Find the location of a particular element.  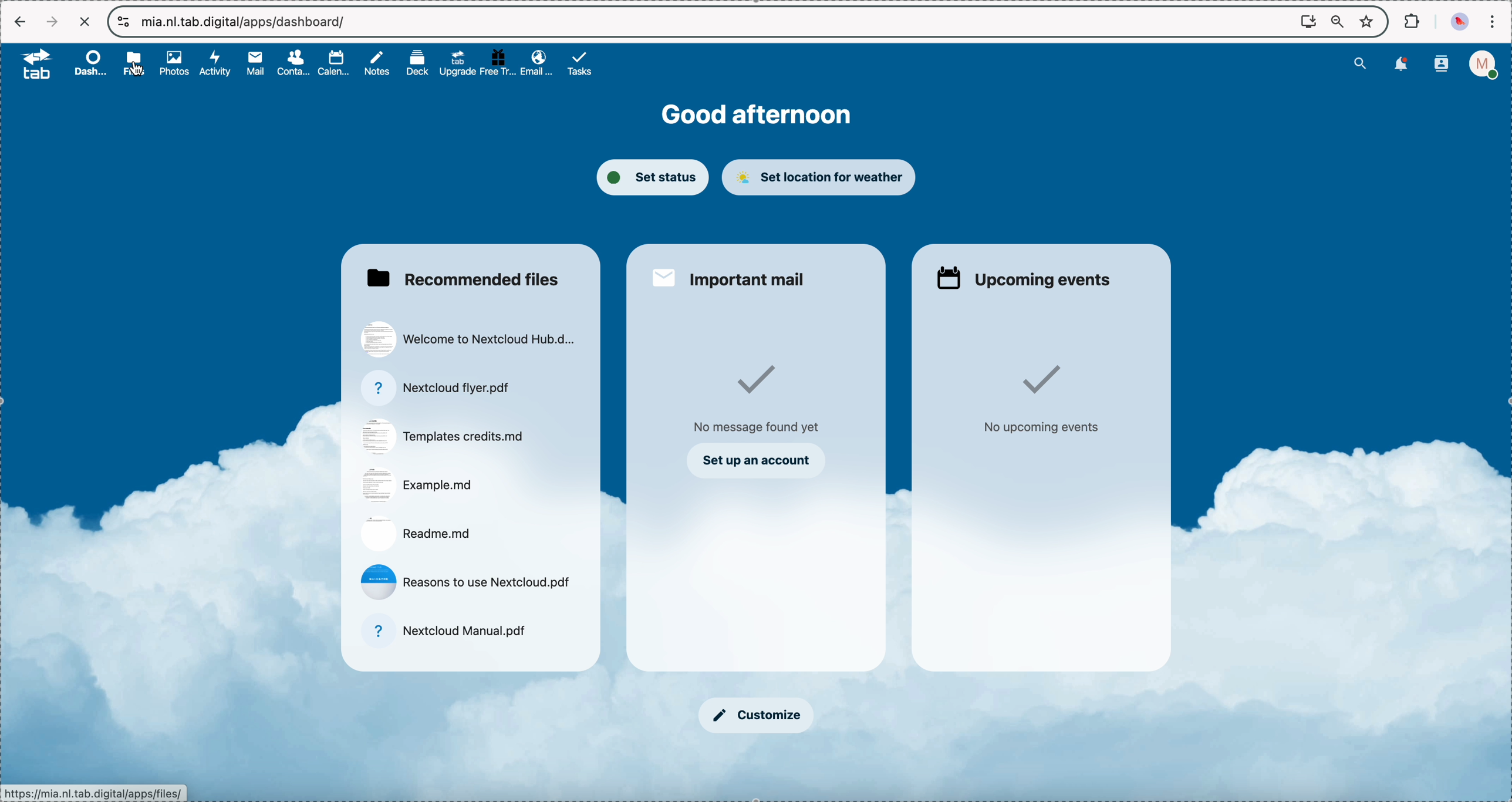

deck is located at coordinates (420, 62).